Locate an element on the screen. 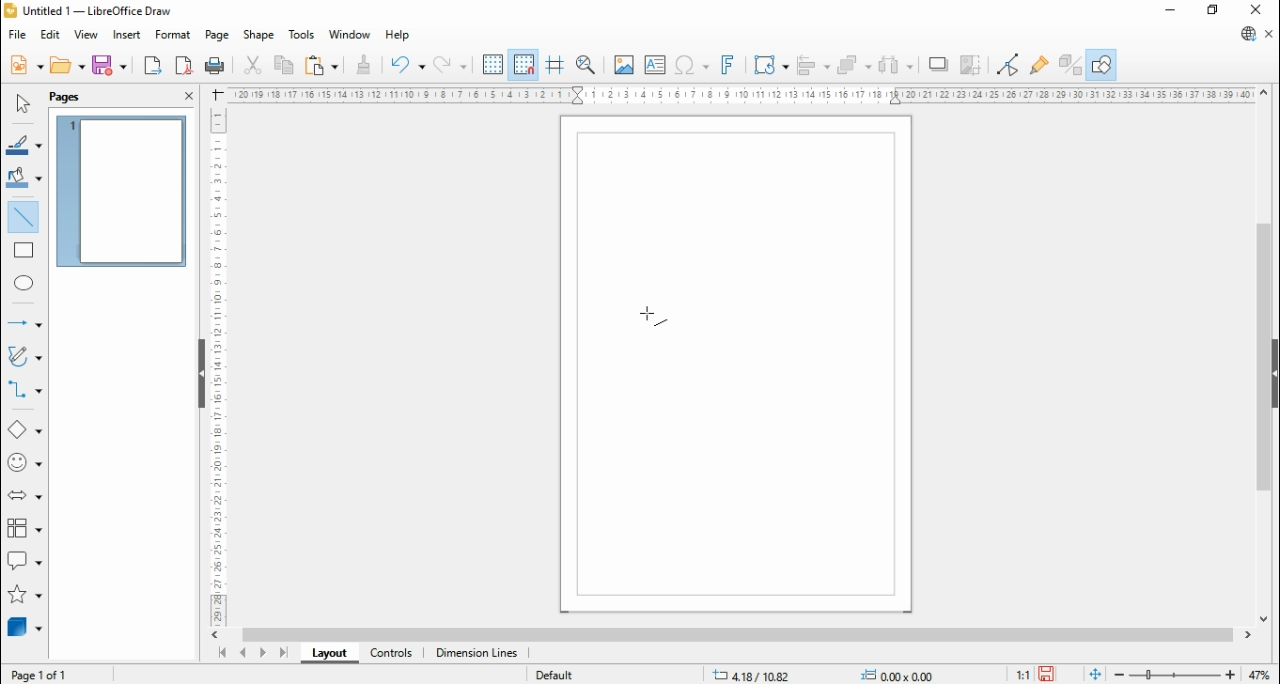 The width and height of the screenshot is (1280, 684). scroll bar is located at coordinates (1262, 357).